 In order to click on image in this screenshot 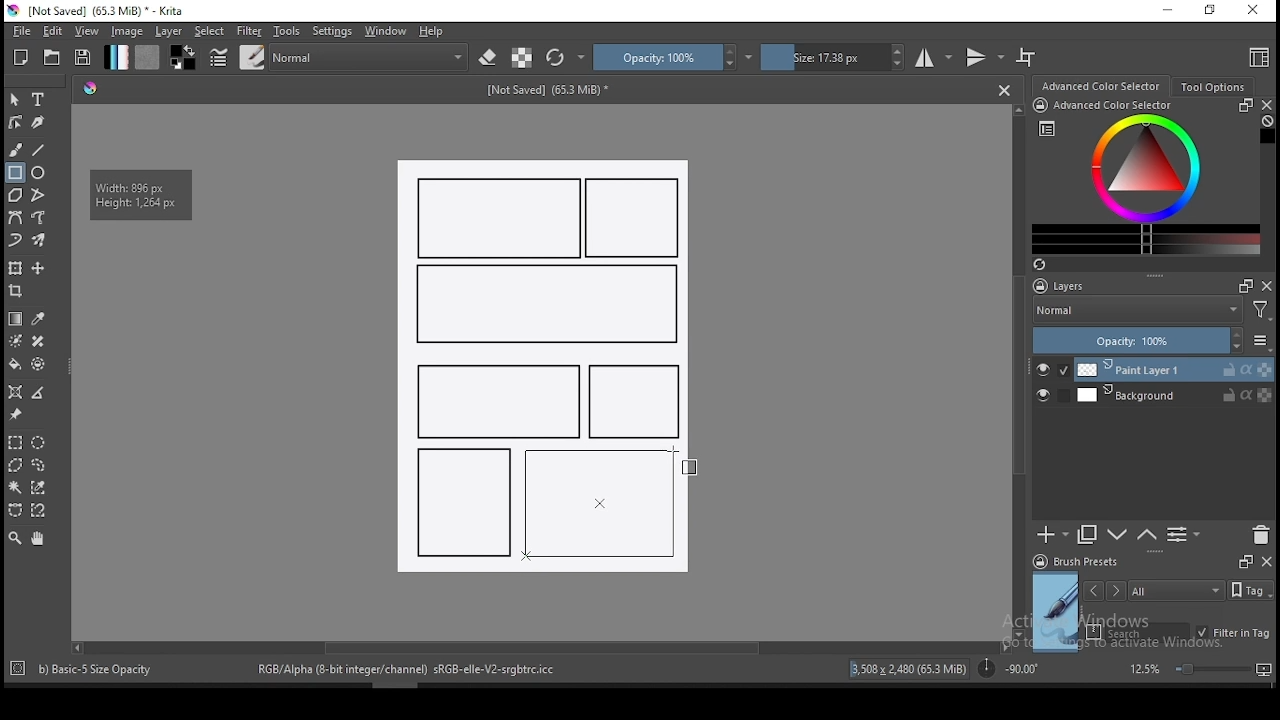, I will do `click(126, 31)`.